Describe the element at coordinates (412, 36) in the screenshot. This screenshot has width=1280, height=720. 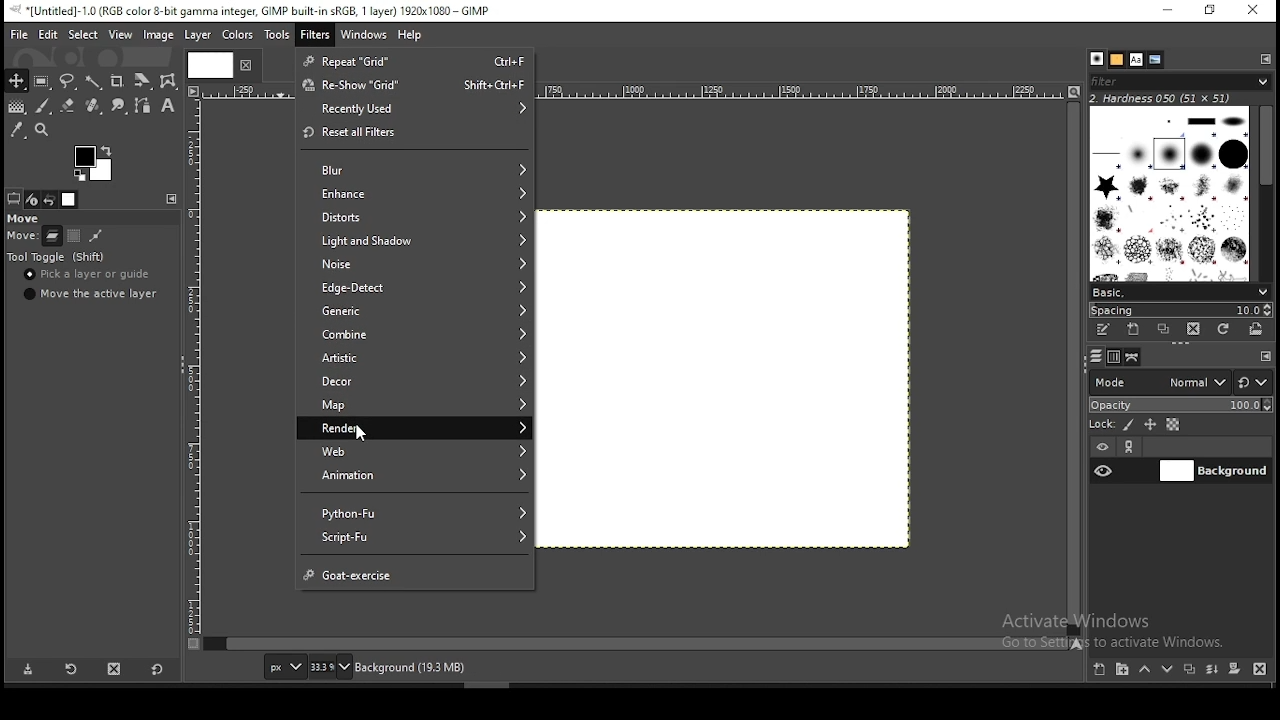
I see `help` at that location.